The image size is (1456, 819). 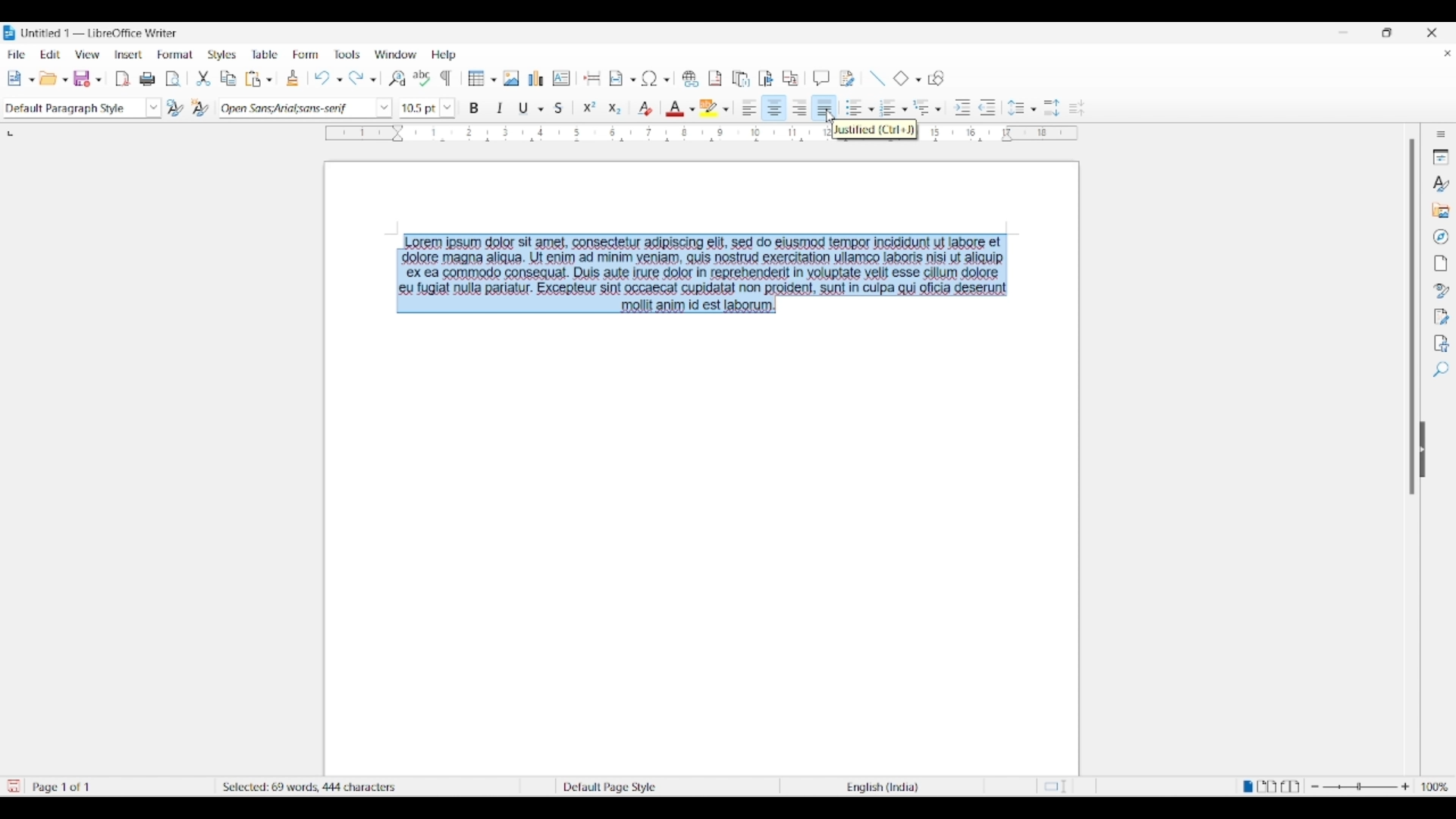 What do you see at coordinates (609, 786) in the screenshot?
I see `Default Page Style` at bounding box center [609, 786].